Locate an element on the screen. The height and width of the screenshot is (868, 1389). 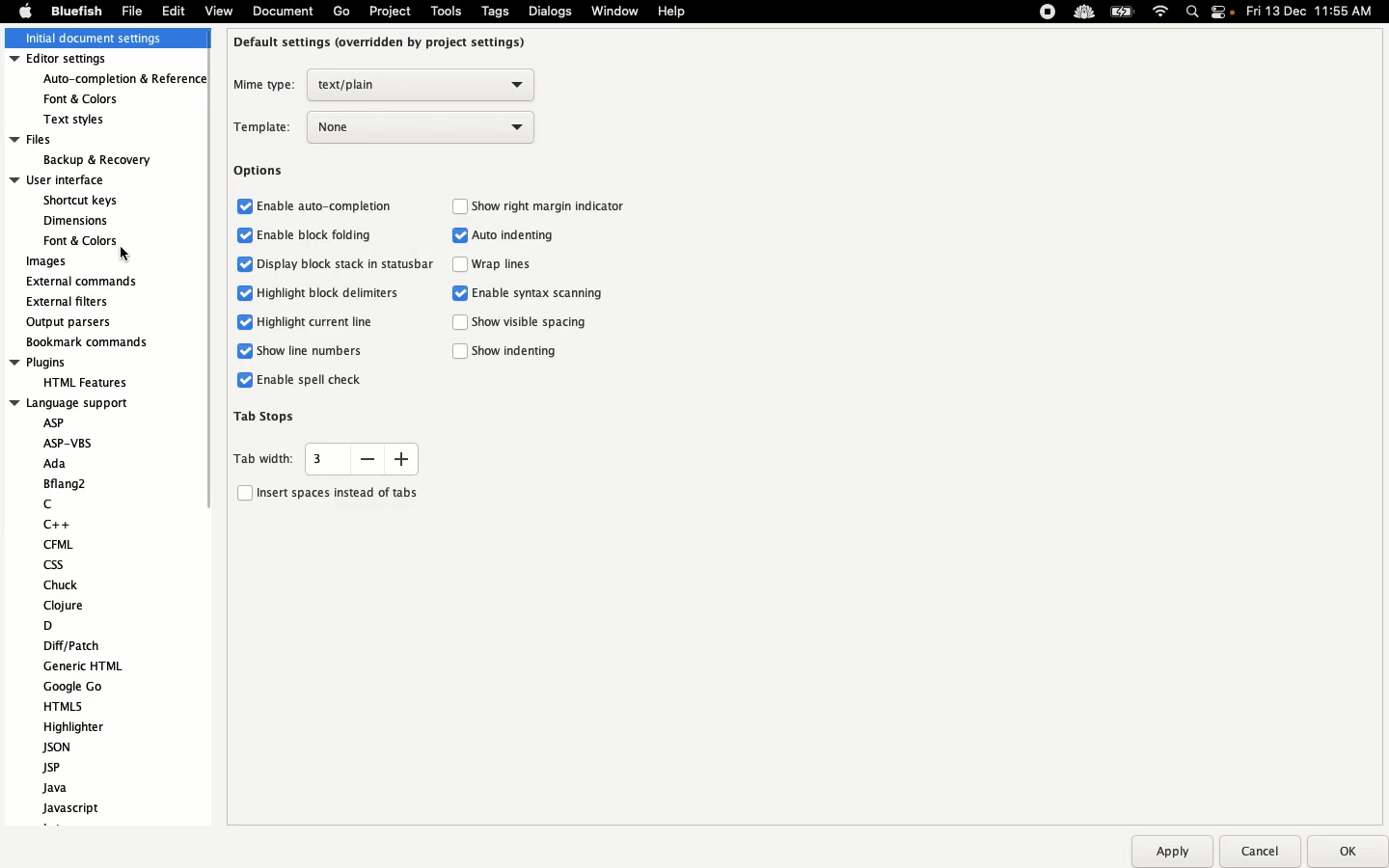
Enable syntax scanning is located at coordinates (532, 294).